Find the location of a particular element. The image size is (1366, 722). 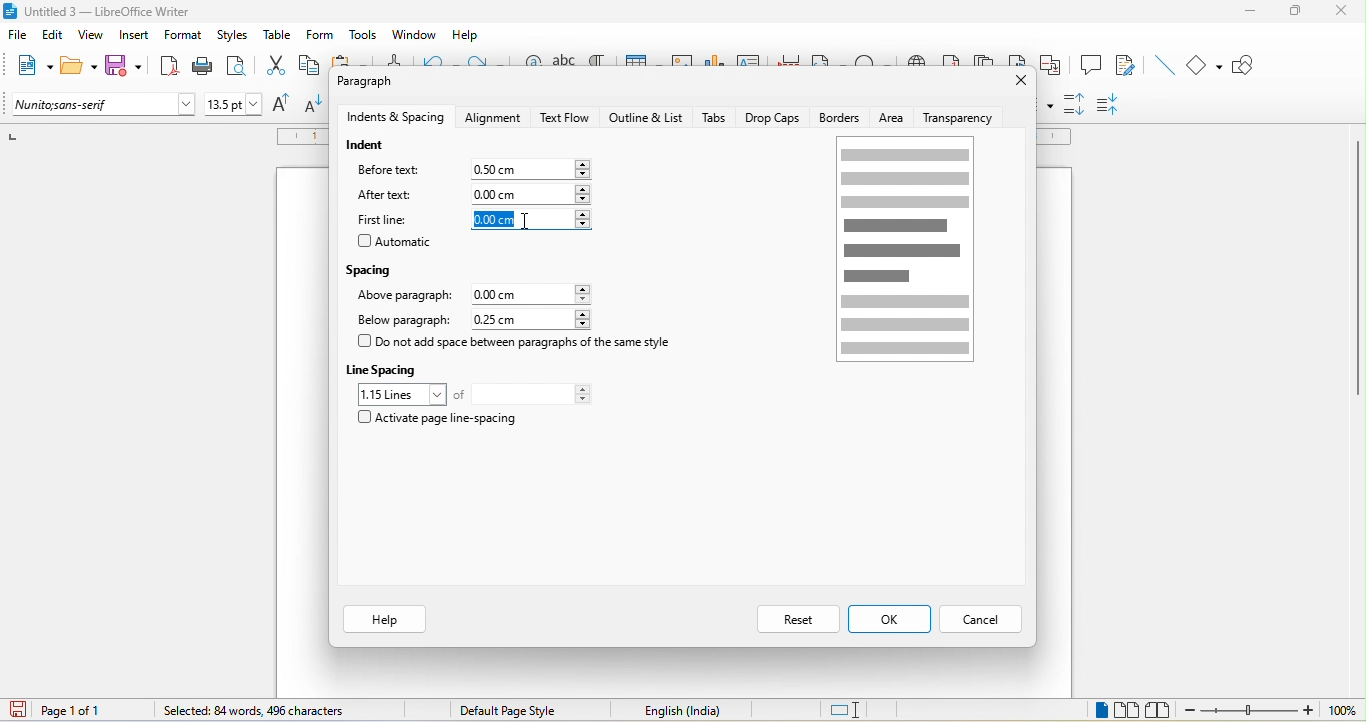

reset is located at coordinates (800, 620).